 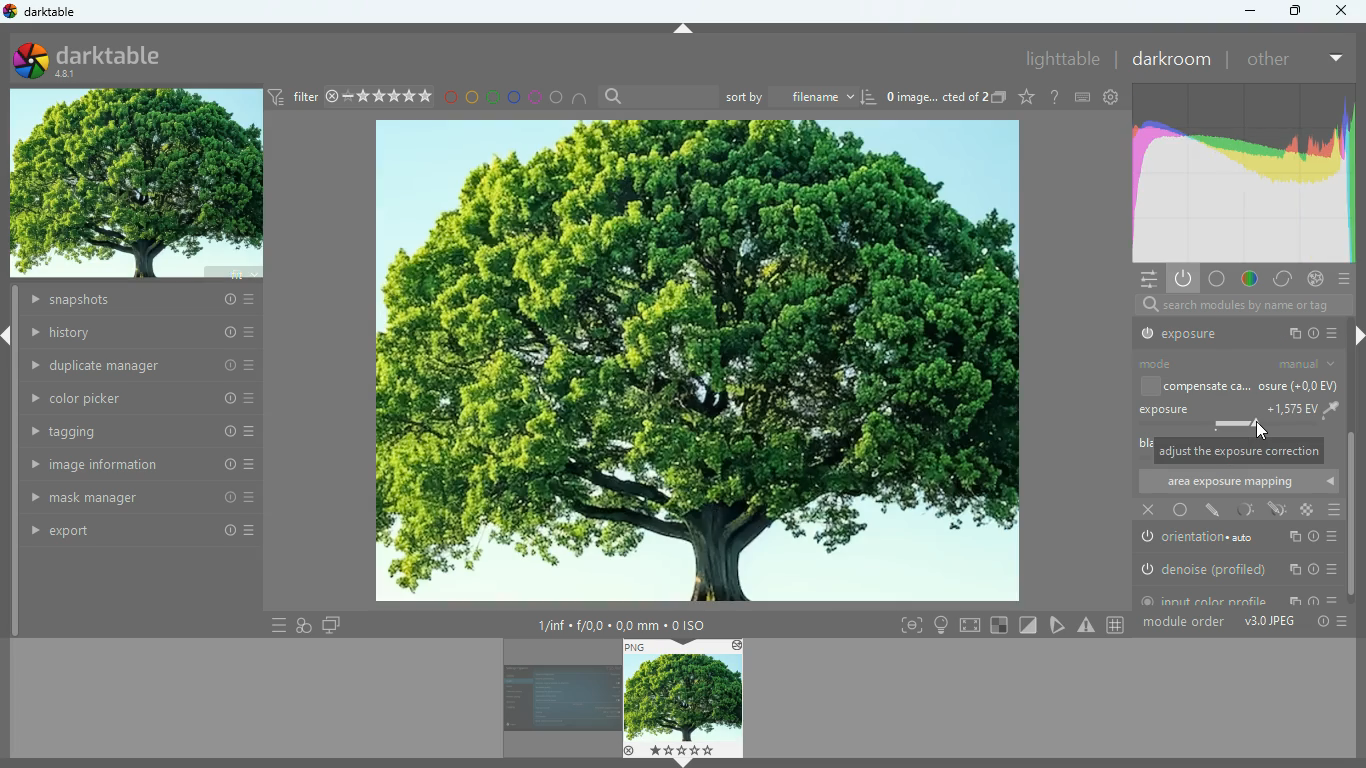 What do you see at coordinates (99, 60) in the screenshot?
I see `darktable` at bounding box center [99, 60].